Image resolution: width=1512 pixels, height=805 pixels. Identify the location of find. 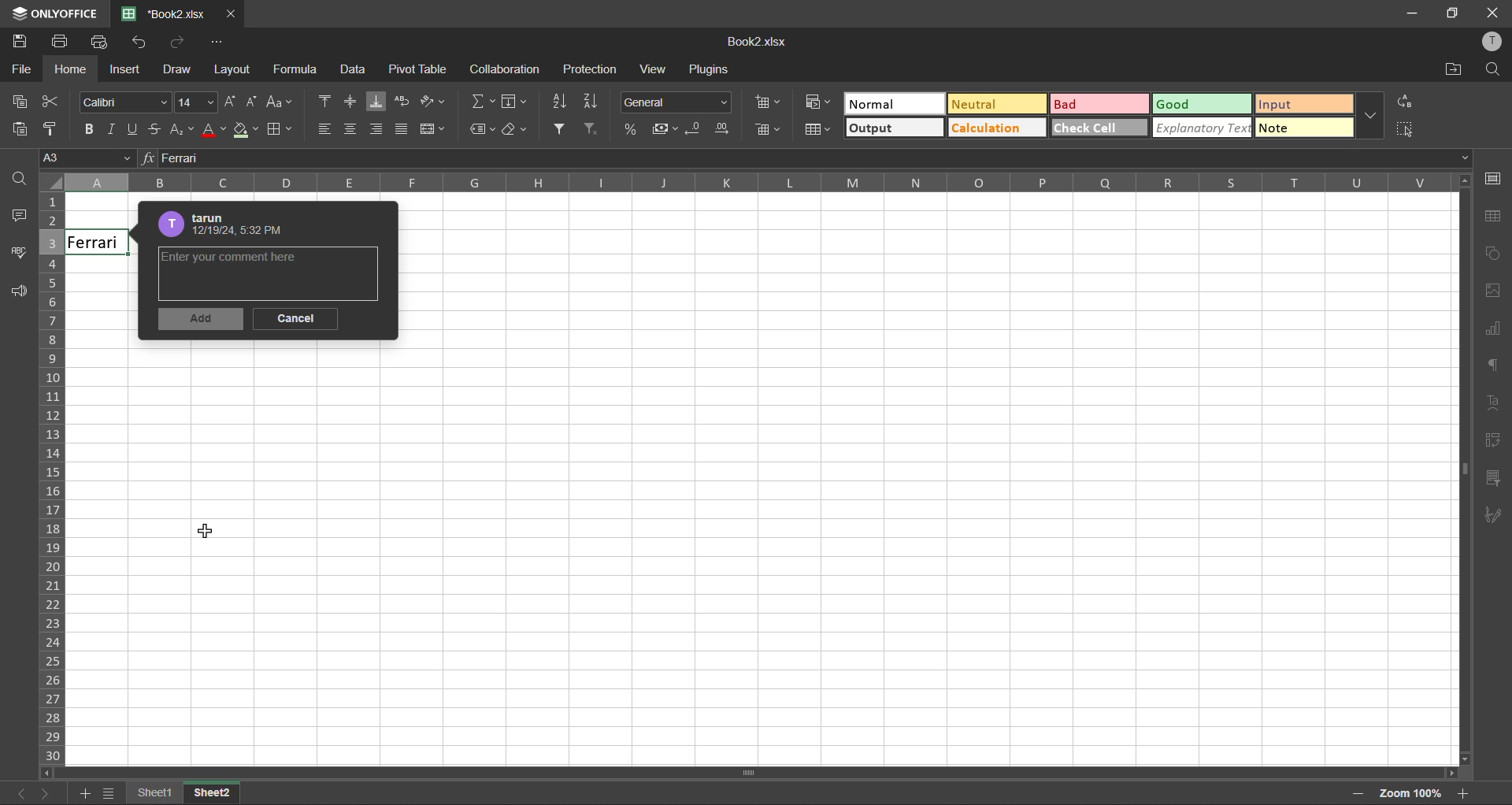
(1498, 69).